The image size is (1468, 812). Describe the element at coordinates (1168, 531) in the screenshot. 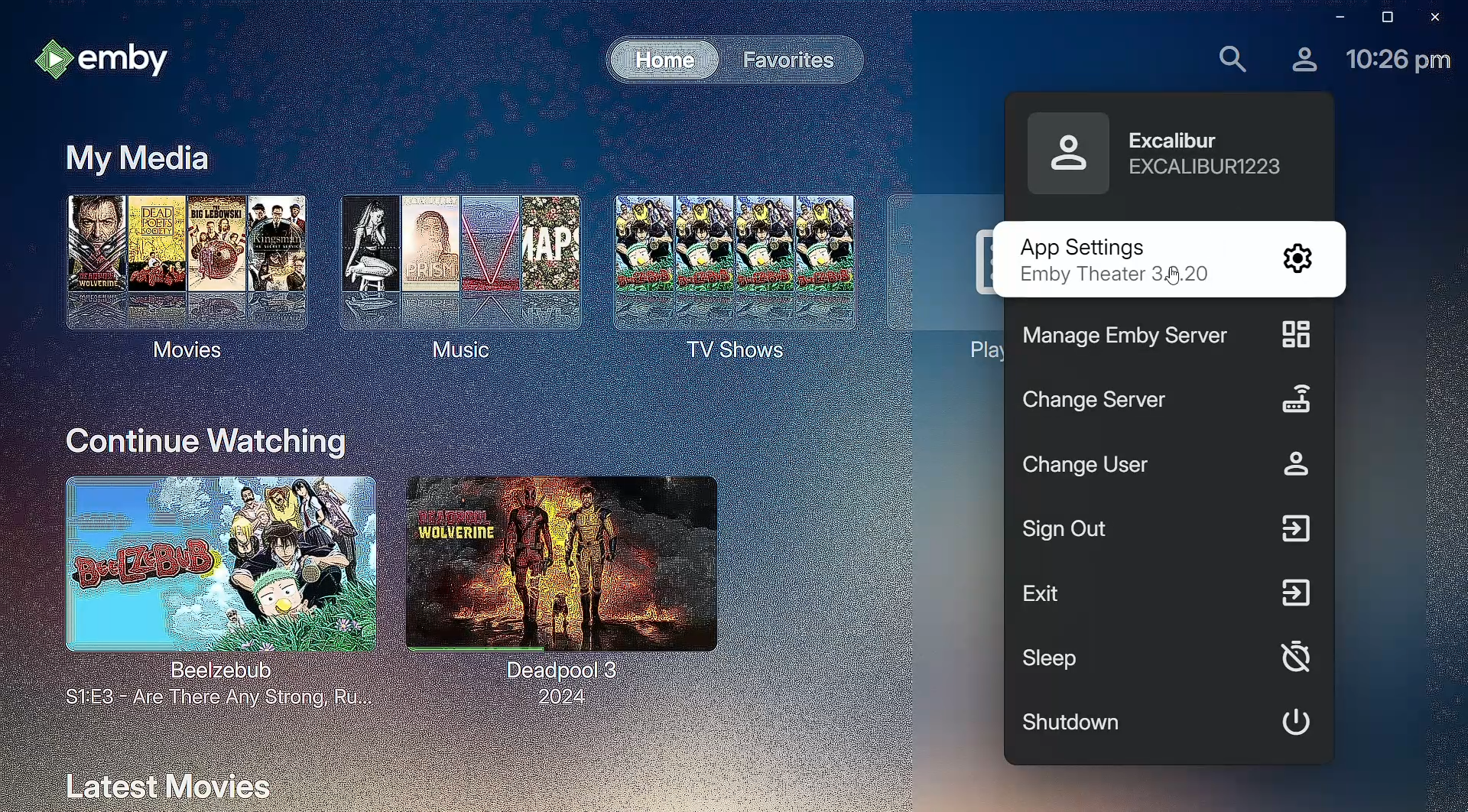

I see `Sign Out` at that location.